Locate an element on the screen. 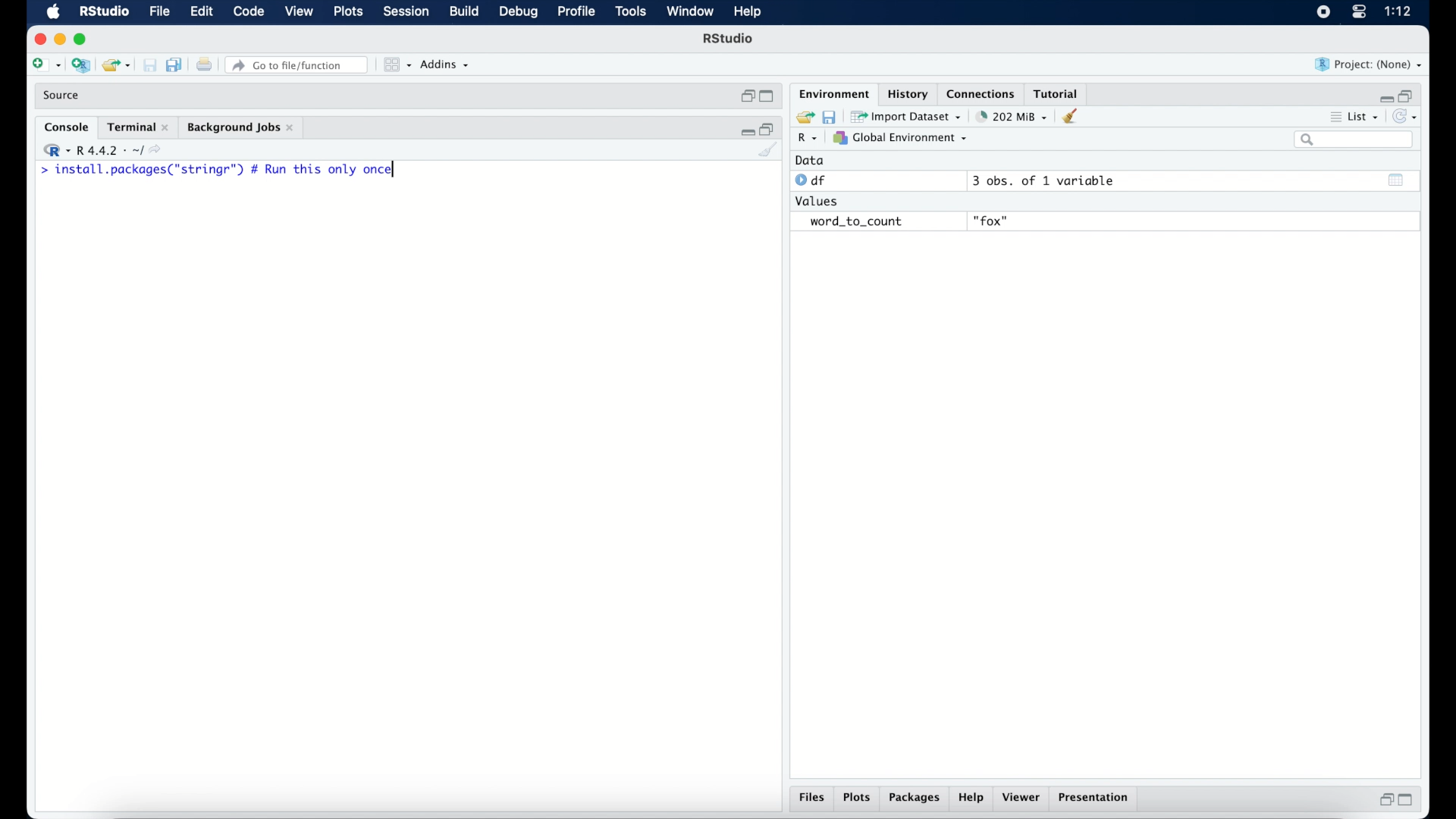 The height and width of the screenshot is (819, 1456). word_to_count is located at coordinates (854, 222).